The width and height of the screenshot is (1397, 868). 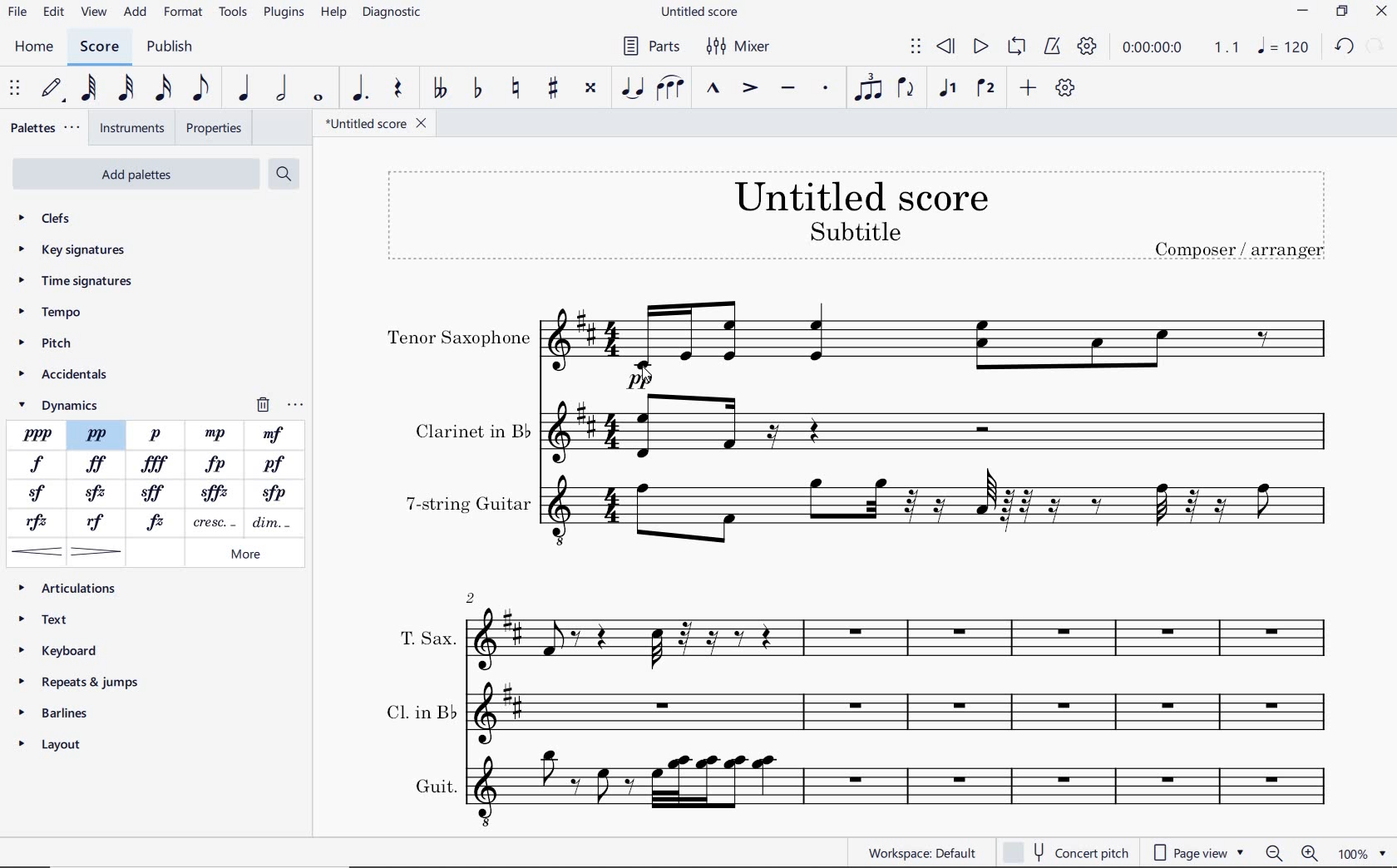 I want to click on FP (FORTEPIANO), so click(x=217, y=464).